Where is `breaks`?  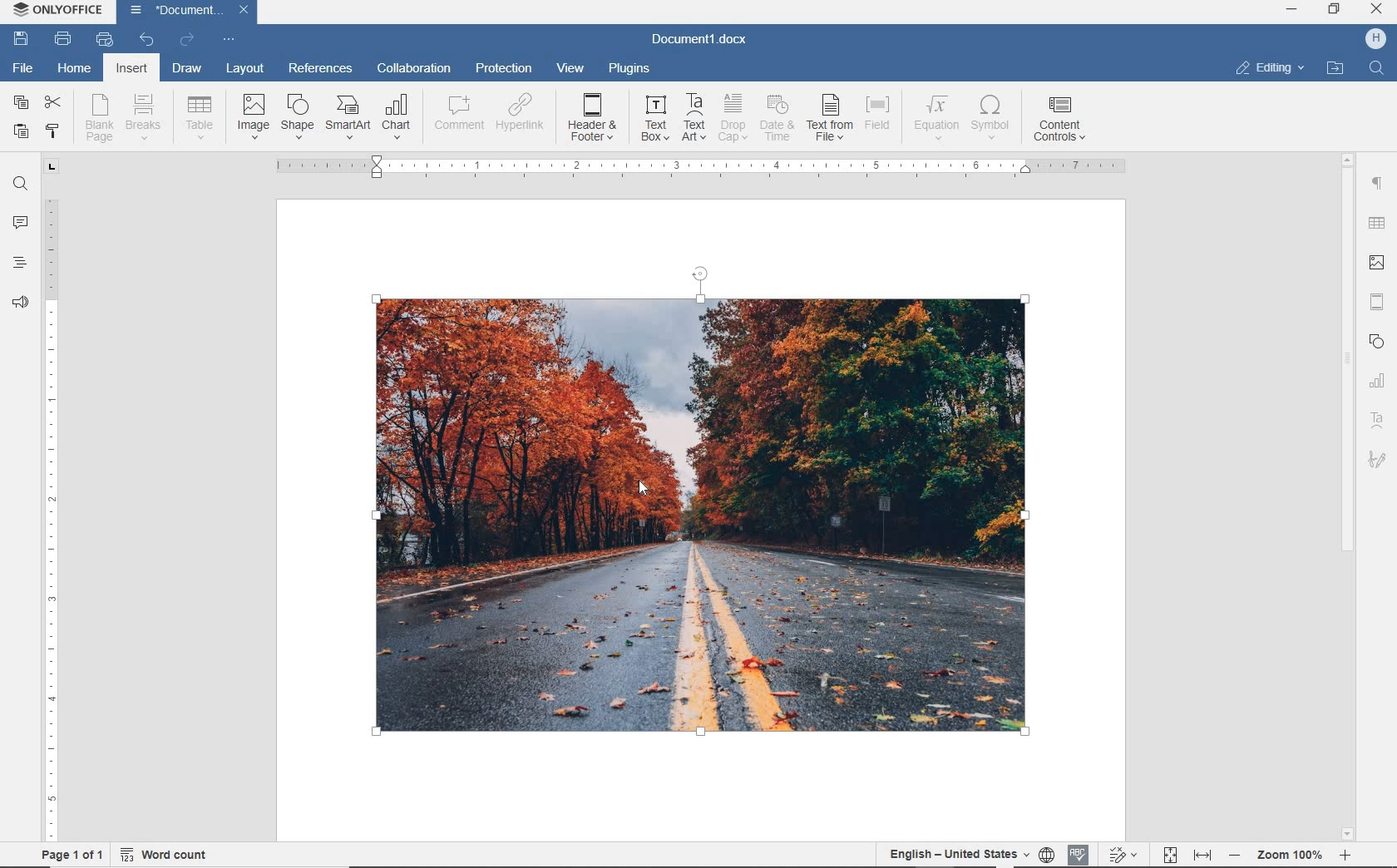
breaks is located at coordinates (141, 120).